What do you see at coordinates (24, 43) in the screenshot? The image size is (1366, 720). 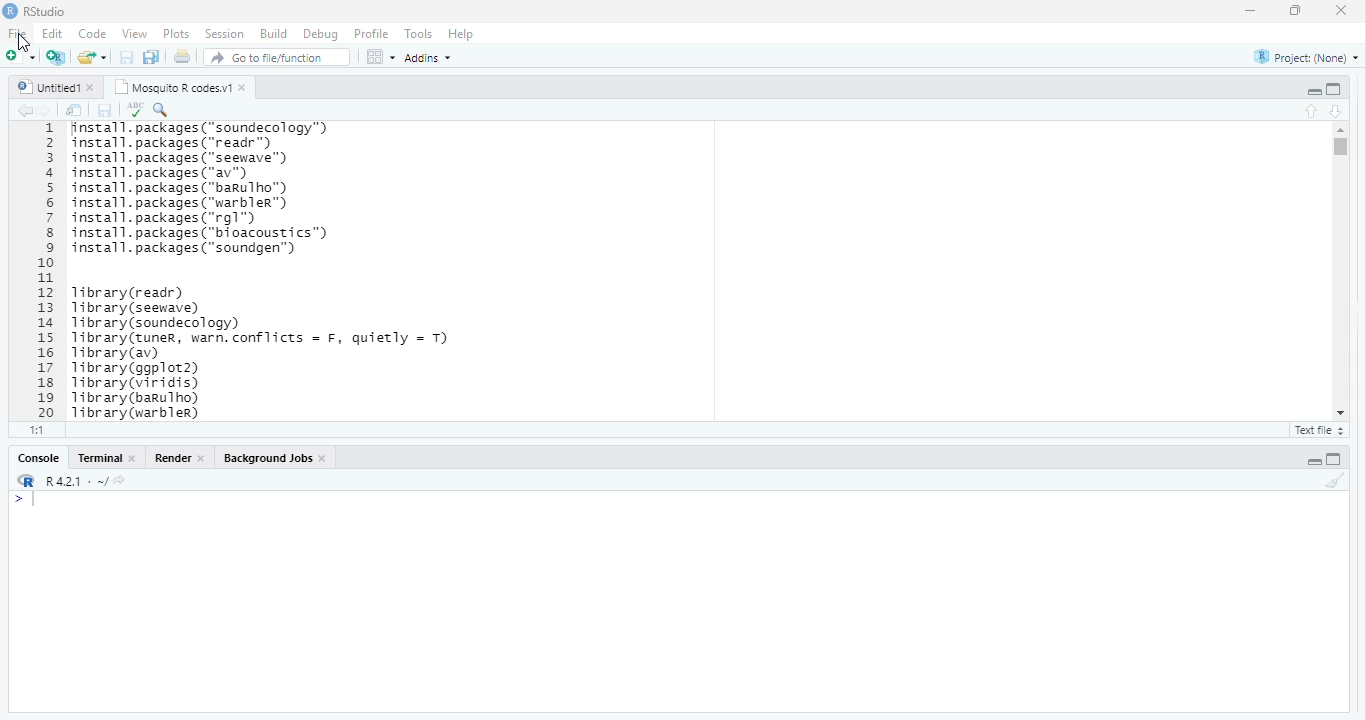 I see `cursor` at bounding box center [24, 43].